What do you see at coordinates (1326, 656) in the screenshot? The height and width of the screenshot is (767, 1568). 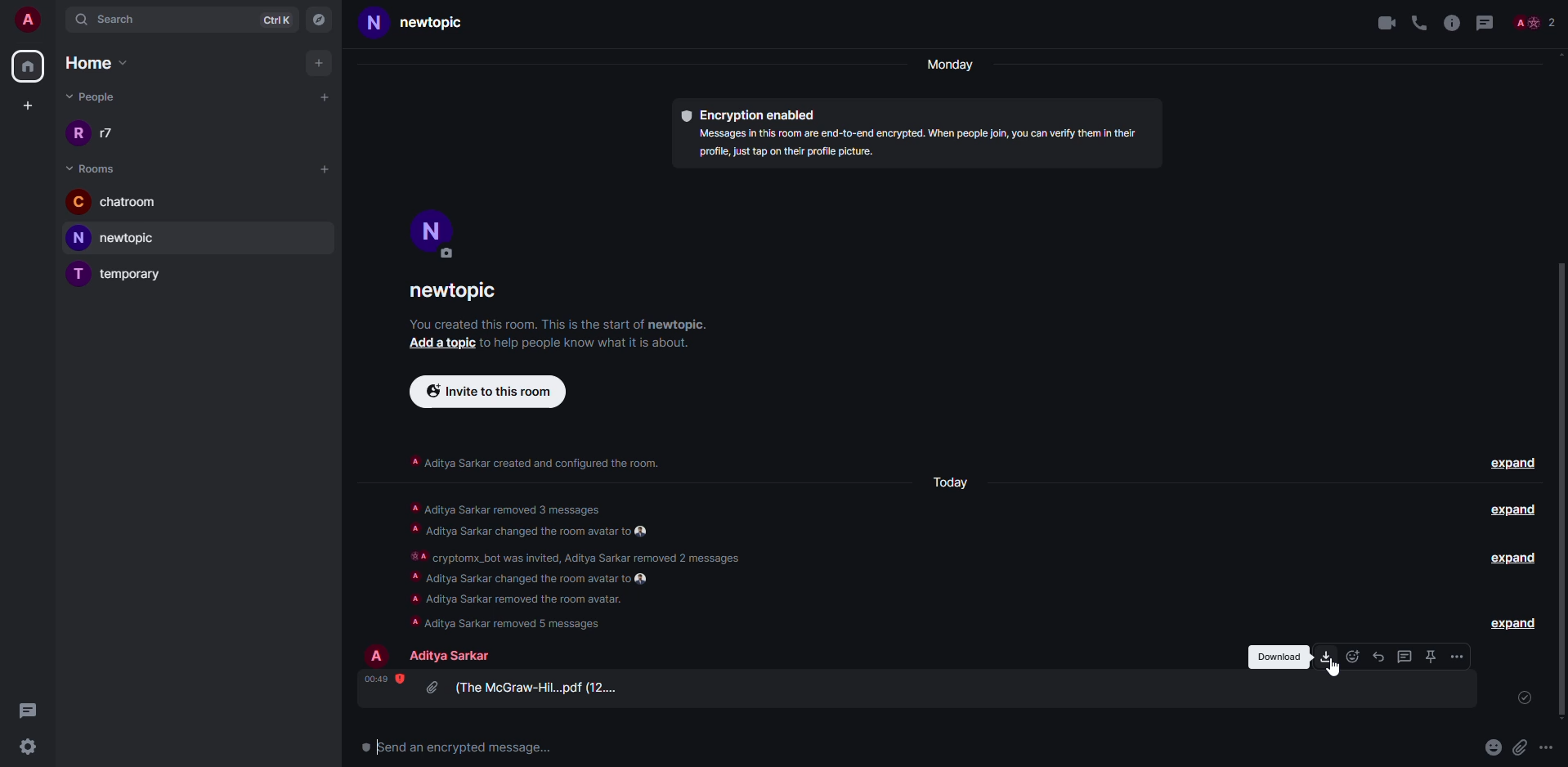 I see `download` at bounding box center [1326, 656].